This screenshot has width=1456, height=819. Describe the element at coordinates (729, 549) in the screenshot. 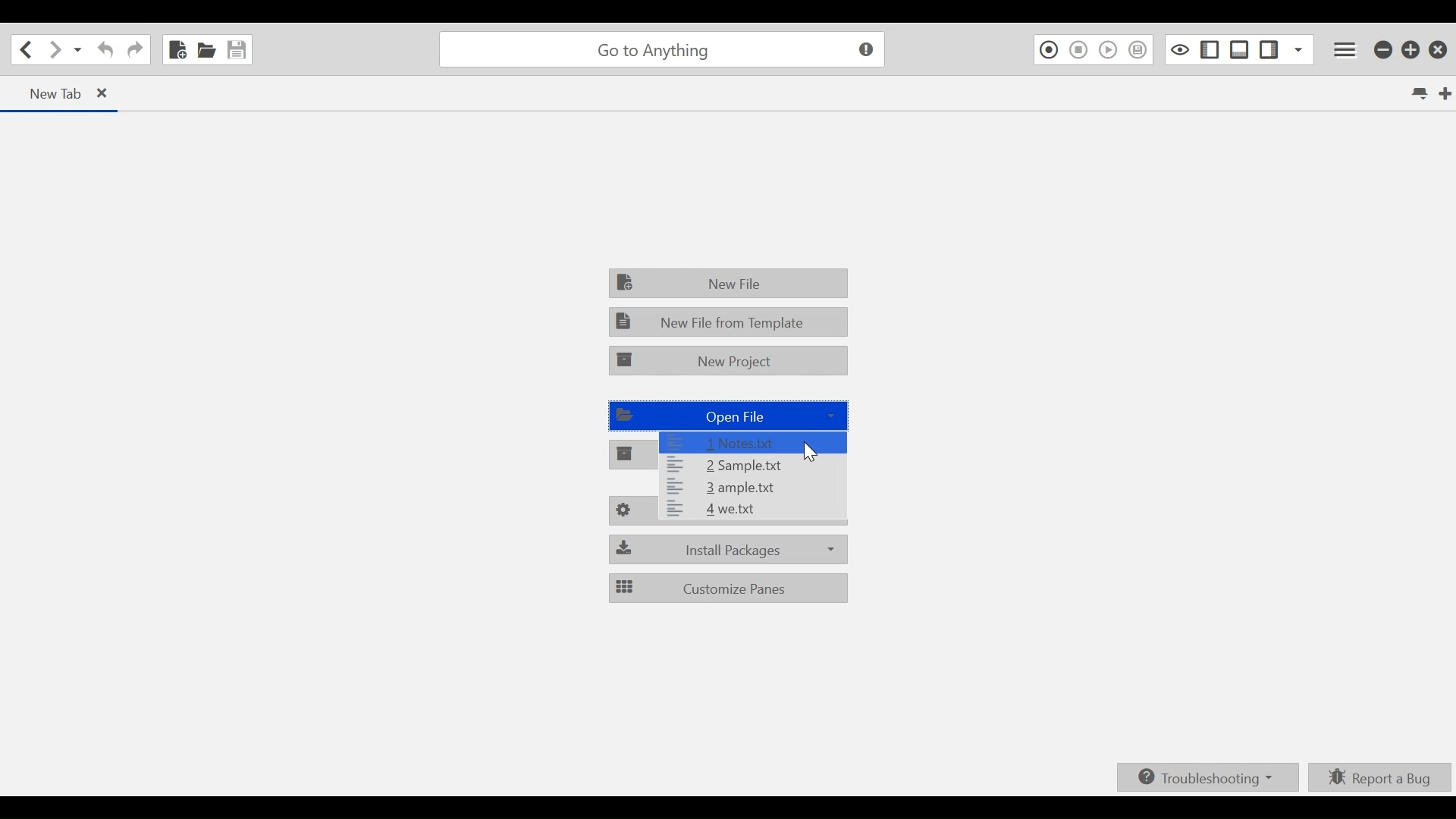

I see `Install packages` at that location.